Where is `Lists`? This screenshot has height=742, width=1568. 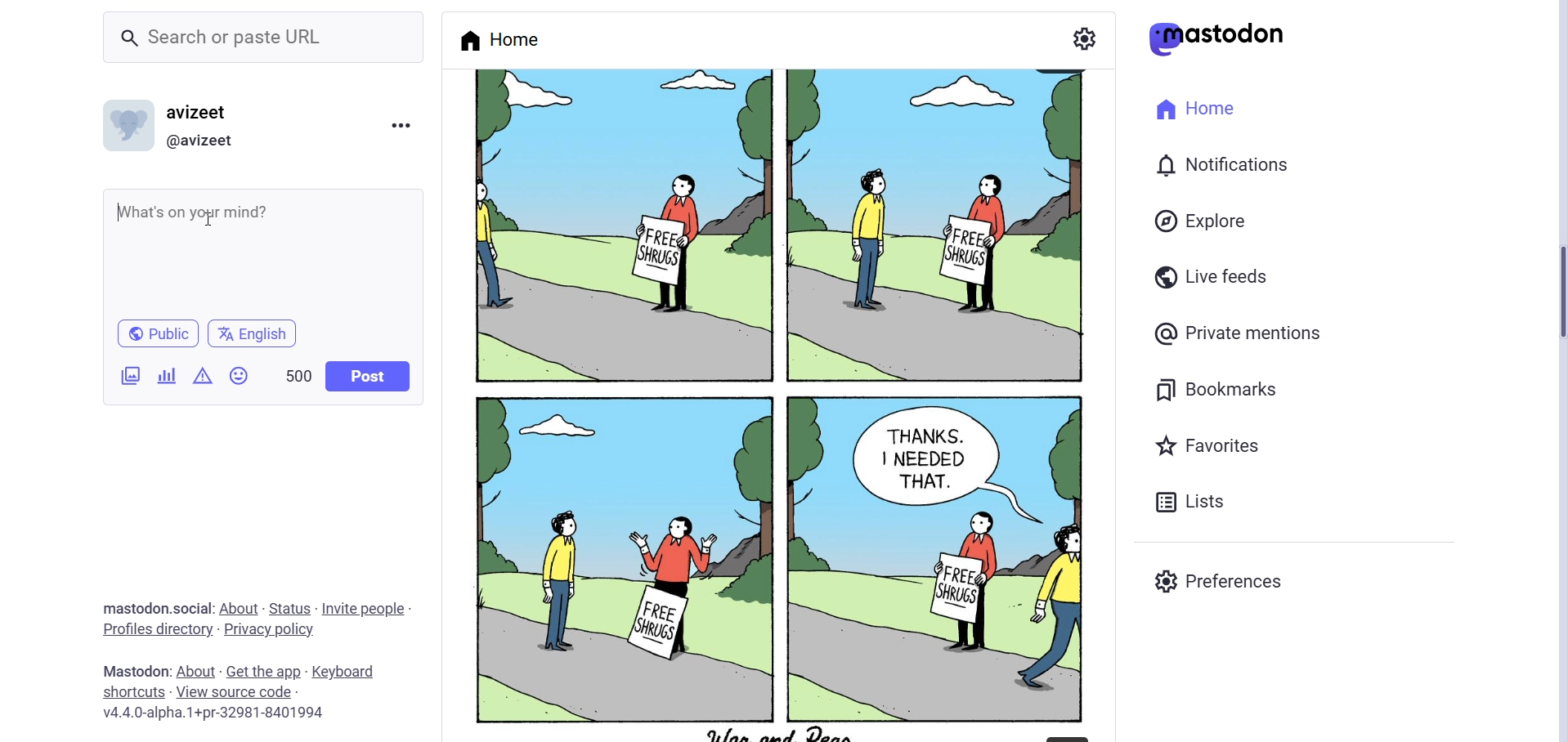 Lists is located at coordinates (1194, 498).